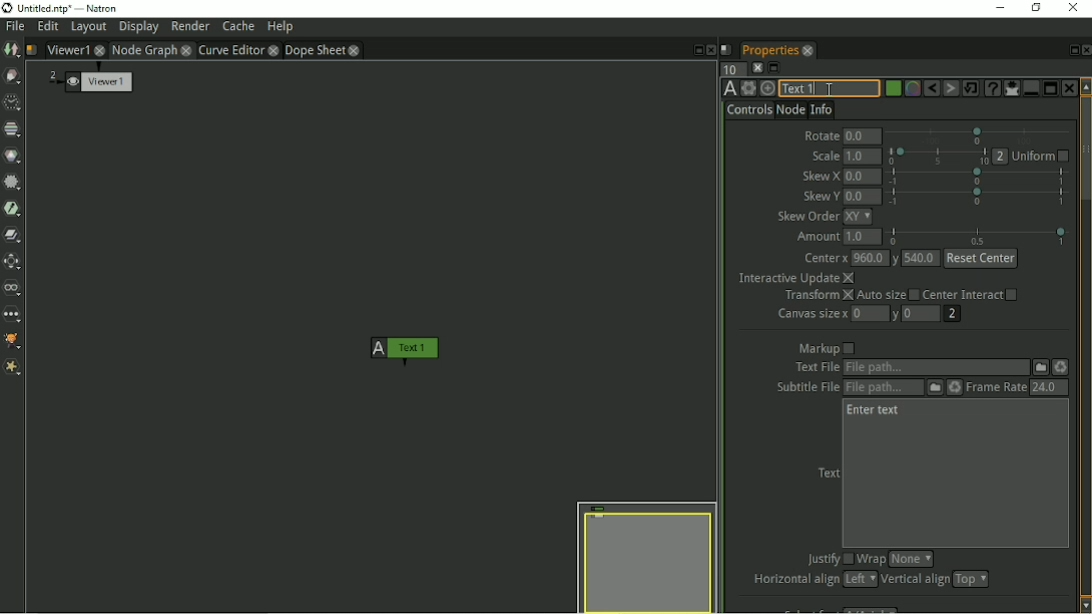 The height and width of the screenshot is (614, 1092). Describe the element at coordinates (756, 68) in the screenshot. I see `Clear all panels` at that location.